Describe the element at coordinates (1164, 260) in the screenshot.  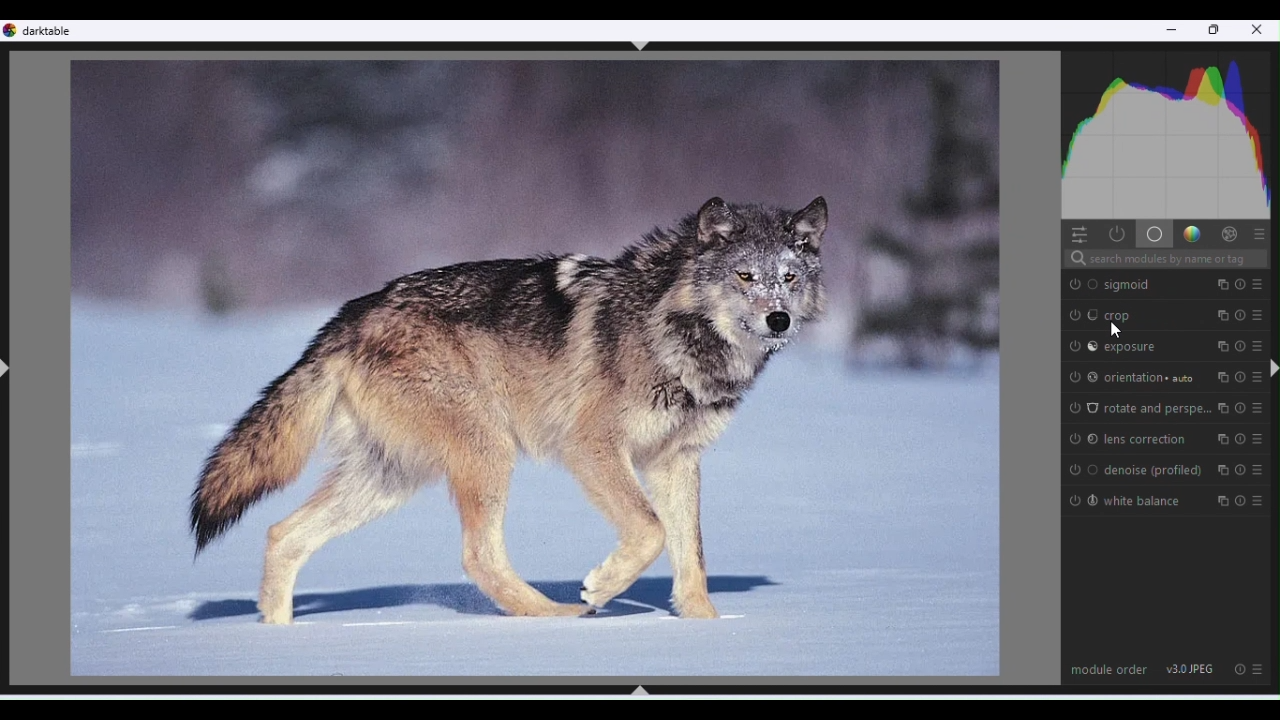
I see `Search bar` at that location.